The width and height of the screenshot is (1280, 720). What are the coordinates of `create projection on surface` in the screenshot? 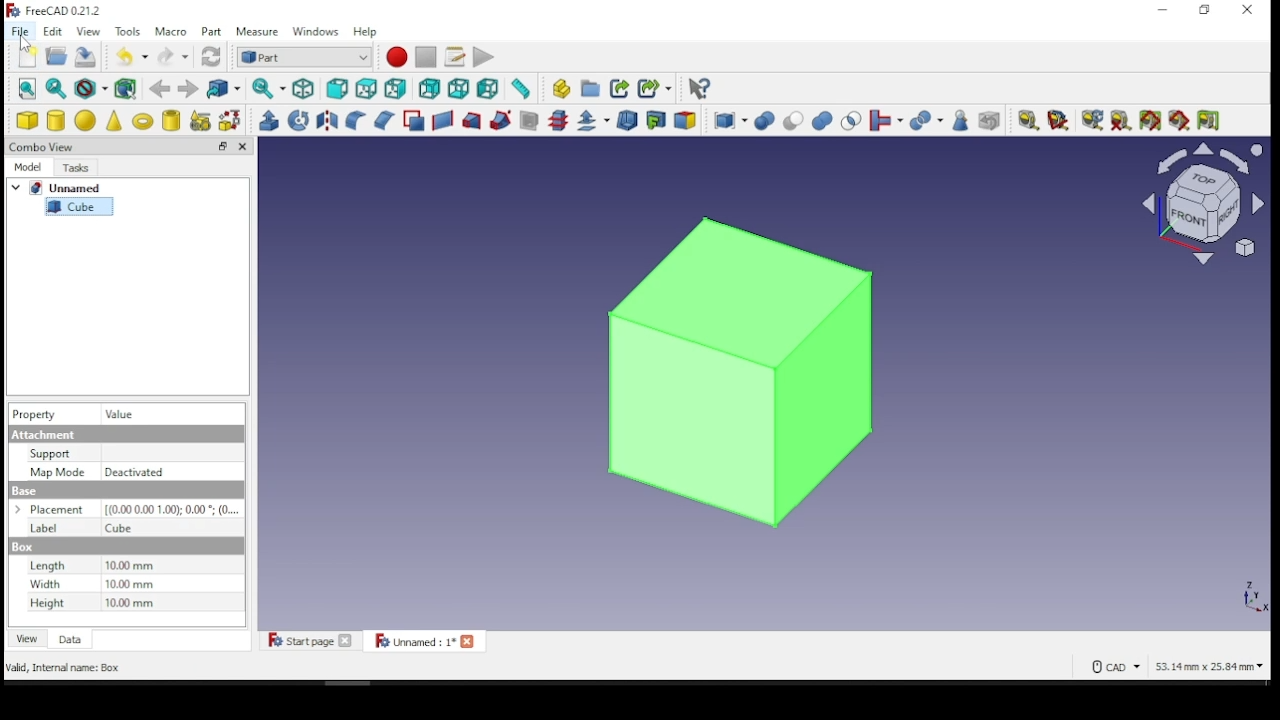 It's located at (658, 119).